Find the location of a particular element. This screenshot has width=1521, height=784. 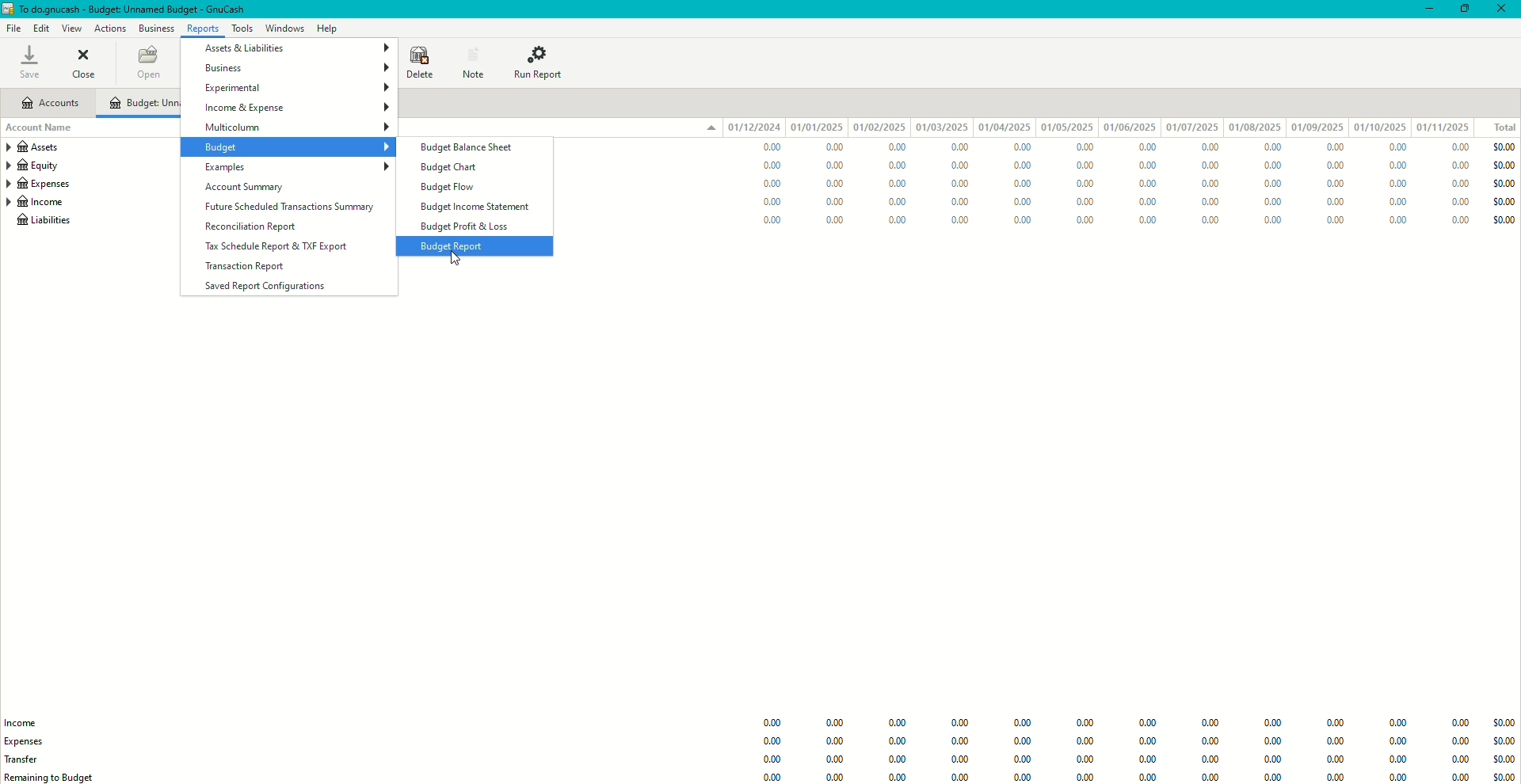

Accounts is located at coordinates (50, 105).